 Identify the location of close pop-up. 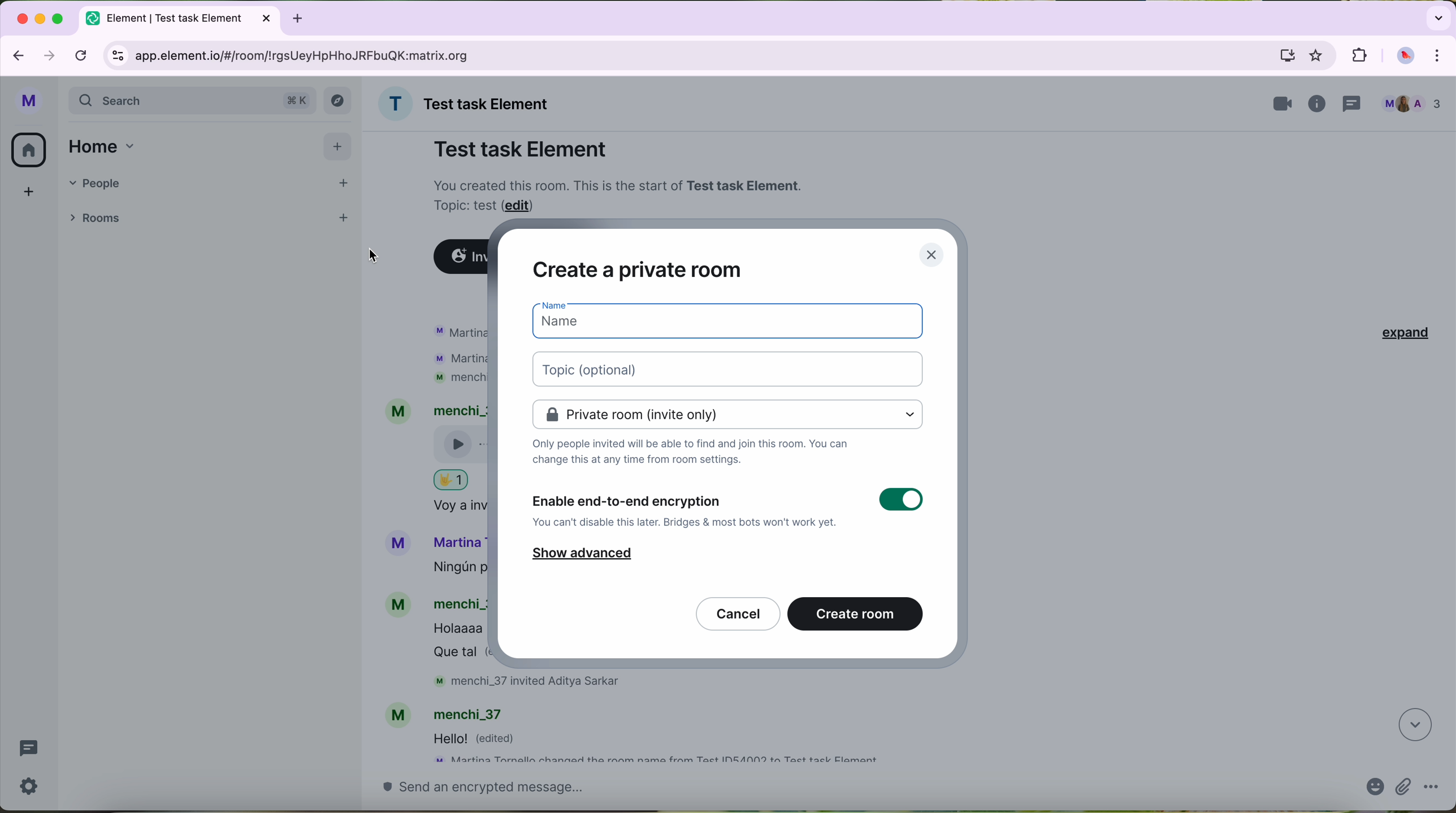
(934, 254).